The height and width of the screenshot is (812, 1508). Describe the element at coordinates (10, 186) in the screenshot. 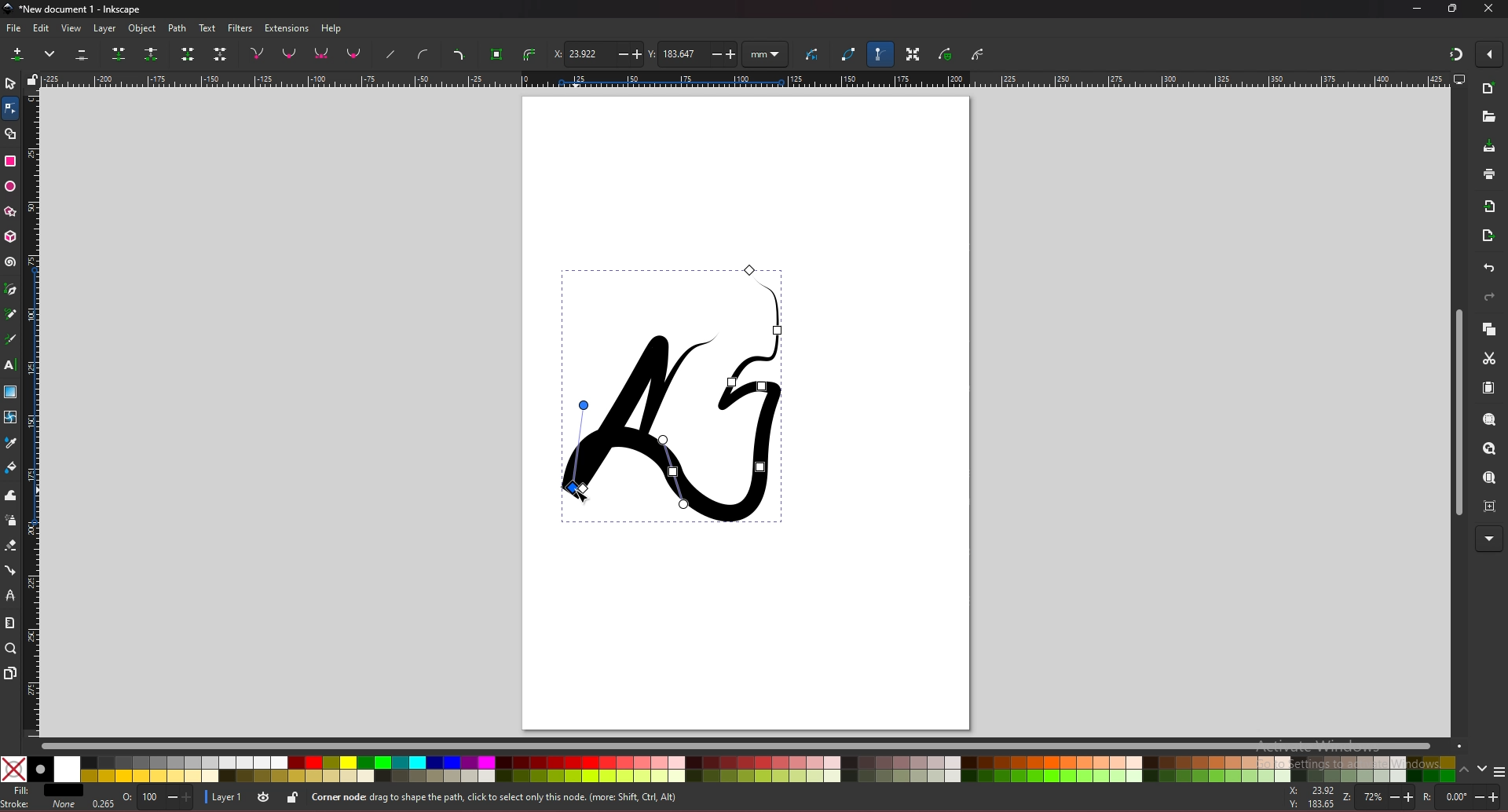

I see `ellipse` at that location.